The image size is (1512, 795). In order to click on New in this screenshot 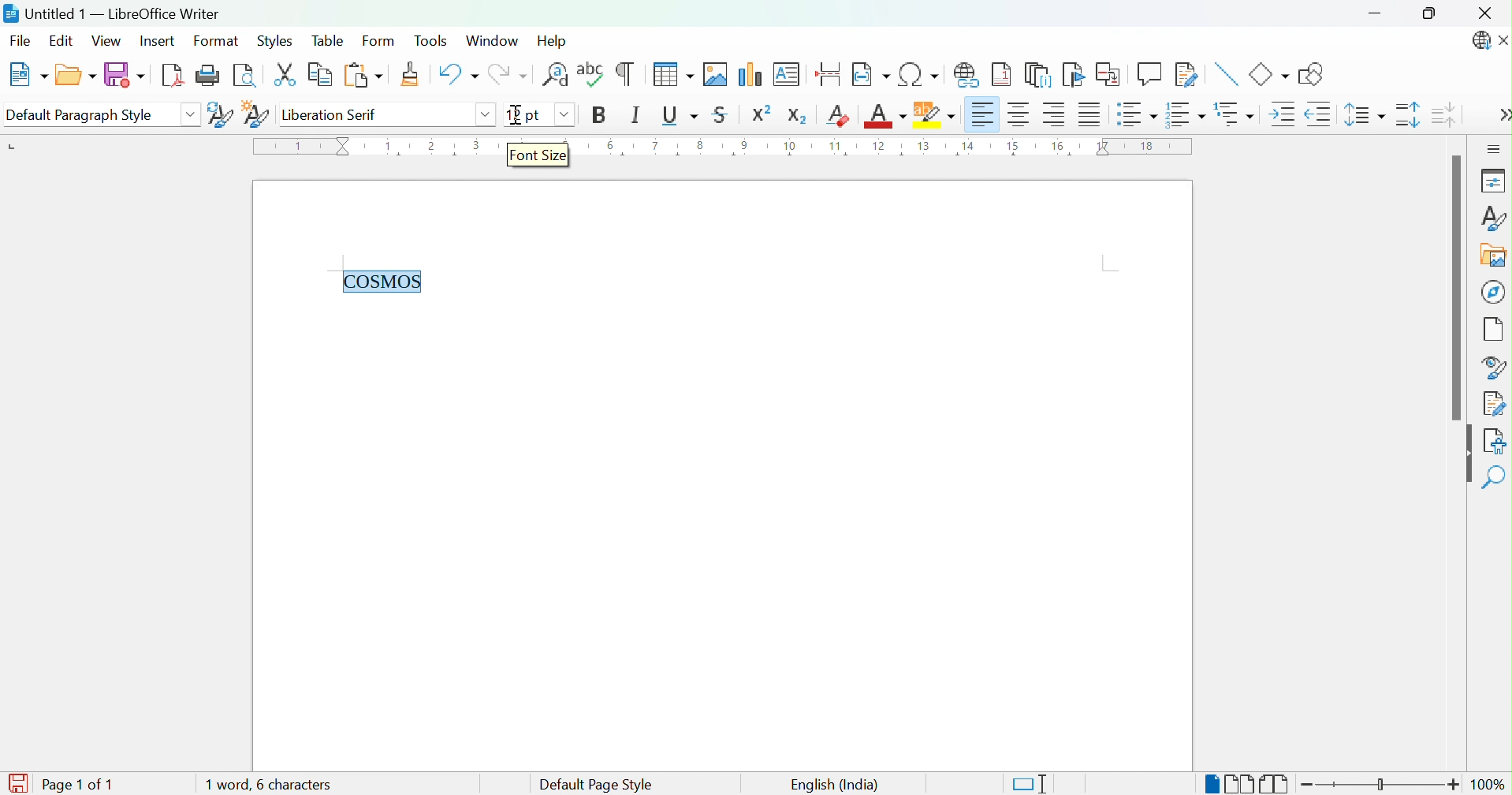, I will do `click(28, 75)`.